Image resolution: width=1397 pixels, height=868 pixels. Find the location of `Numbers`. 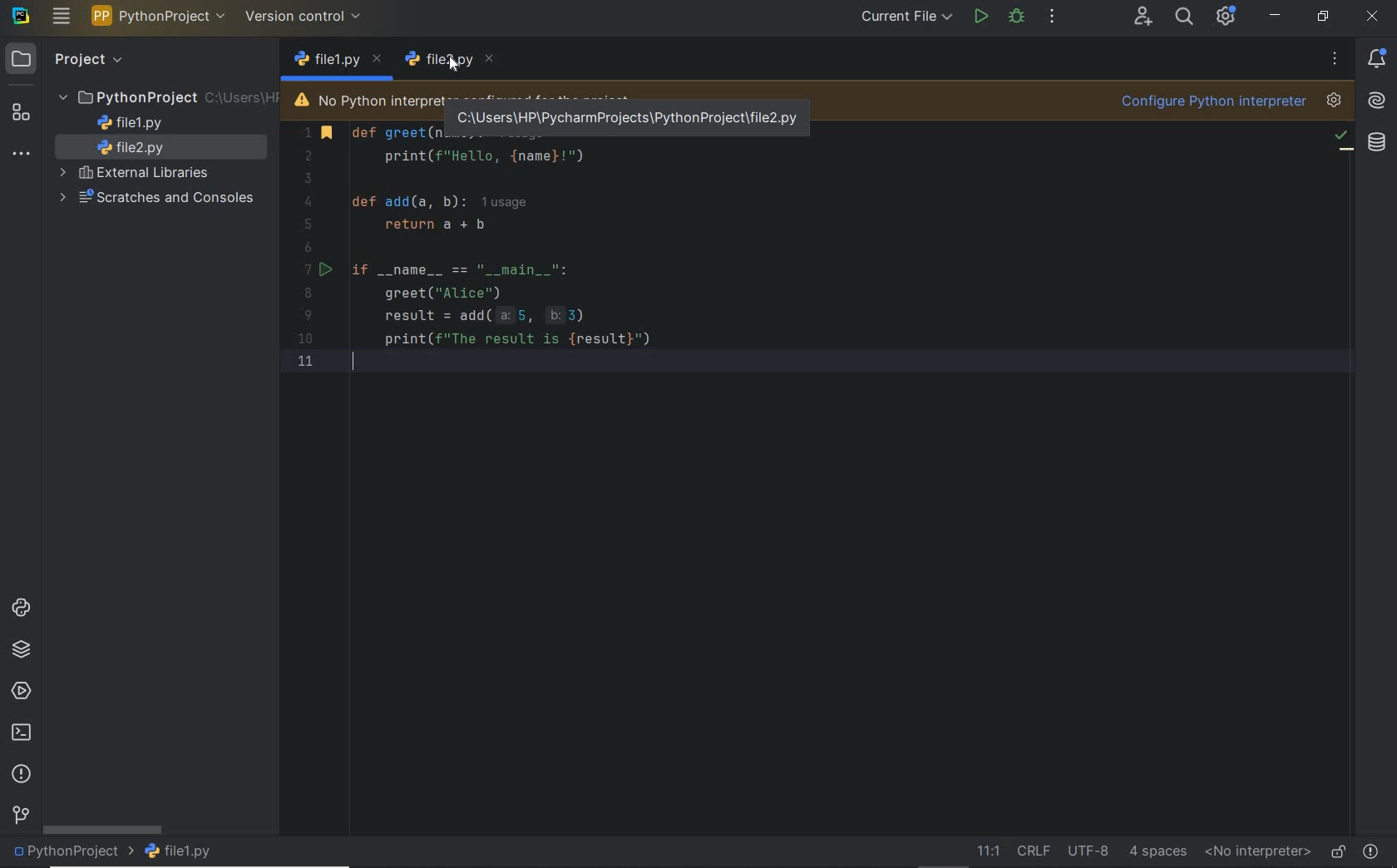

Numbers is located at coordinates (299, 253).